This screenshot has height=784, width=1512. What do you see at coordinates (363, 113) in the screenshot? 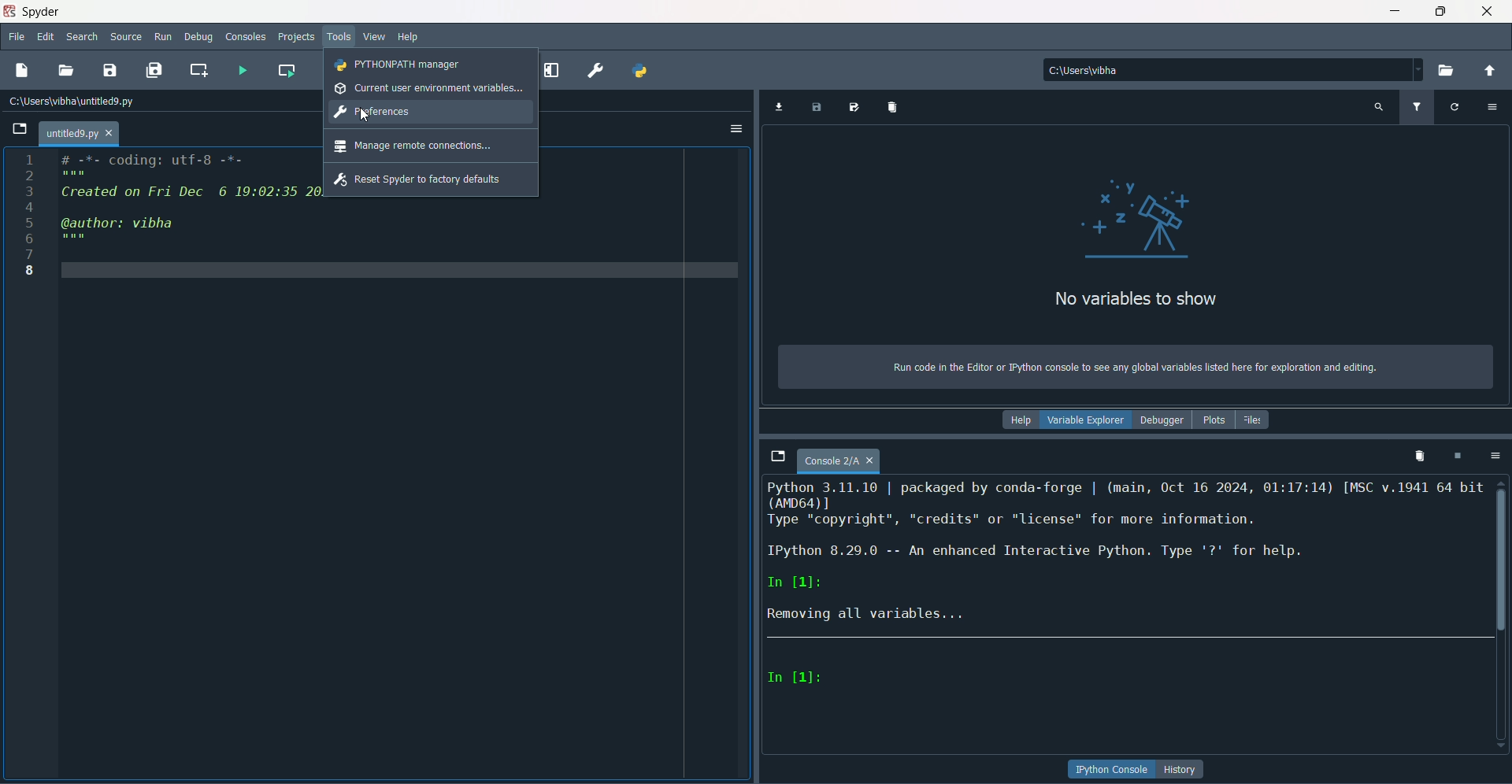
I see `Cursor` at bounding box center [363, 113].